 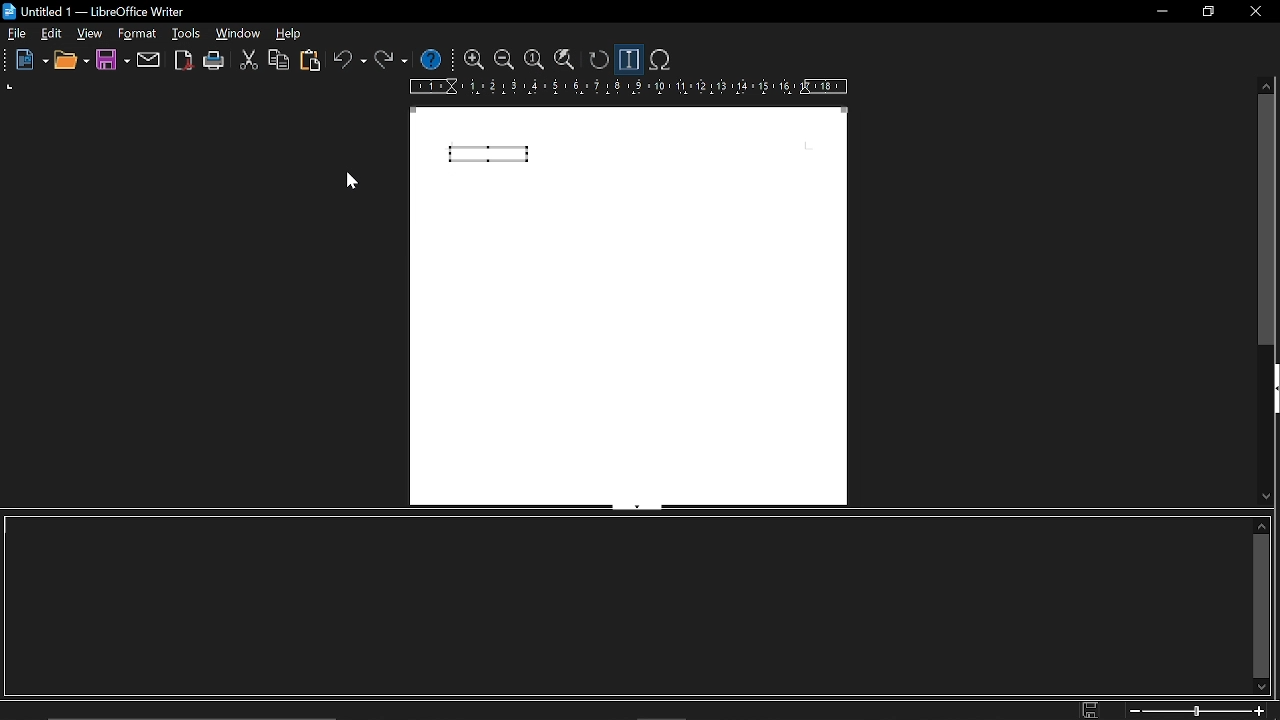 I want to click on new, so click(x=31, y=60).